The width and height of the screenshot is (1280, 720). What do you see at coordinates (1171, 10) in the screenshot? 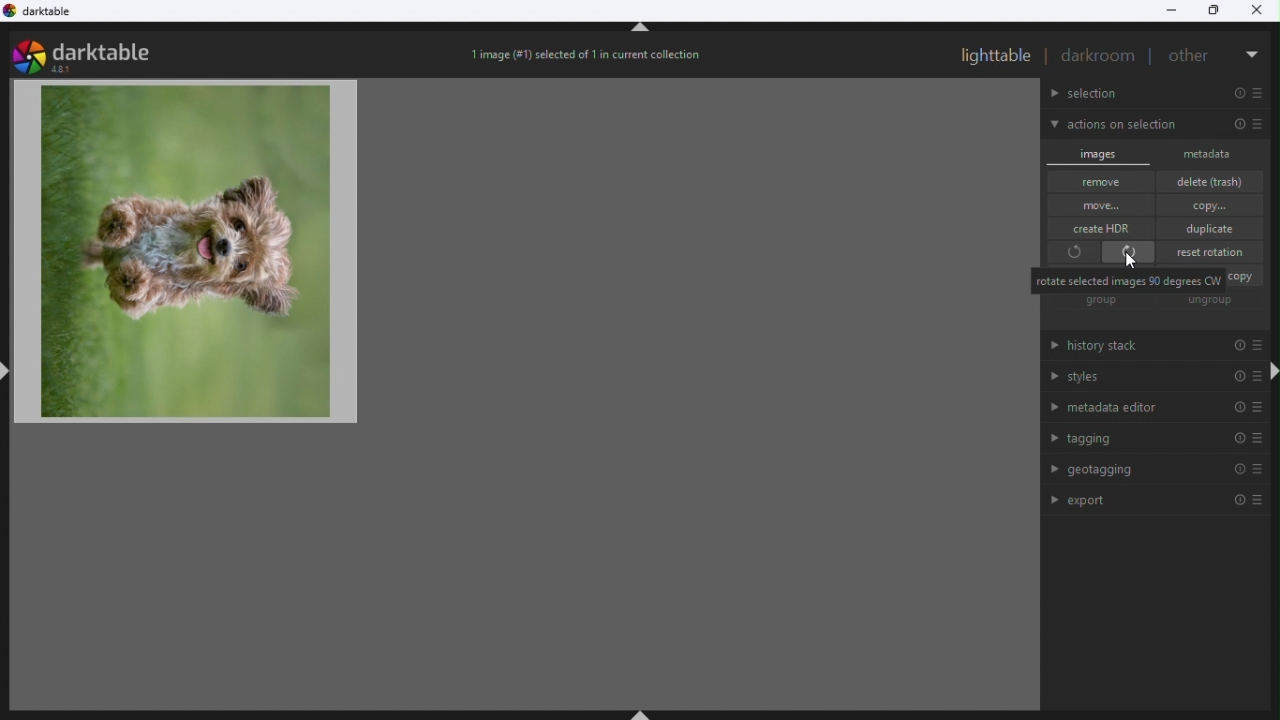
I see `Minimise` at bounding box center [1171, 10].